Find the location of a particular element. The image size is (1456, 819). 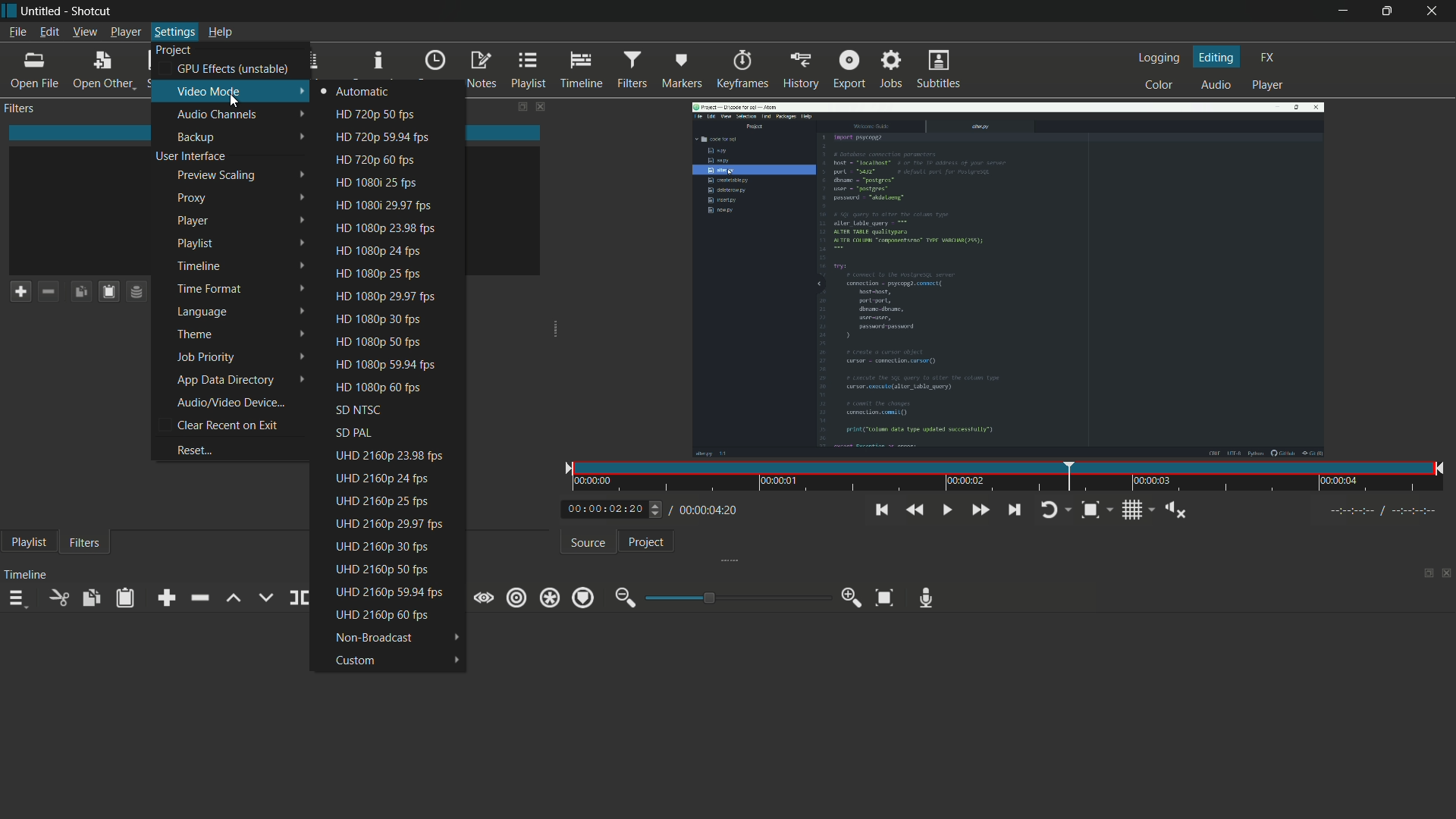

skip to the previous point is located at coordinates (883, 510).